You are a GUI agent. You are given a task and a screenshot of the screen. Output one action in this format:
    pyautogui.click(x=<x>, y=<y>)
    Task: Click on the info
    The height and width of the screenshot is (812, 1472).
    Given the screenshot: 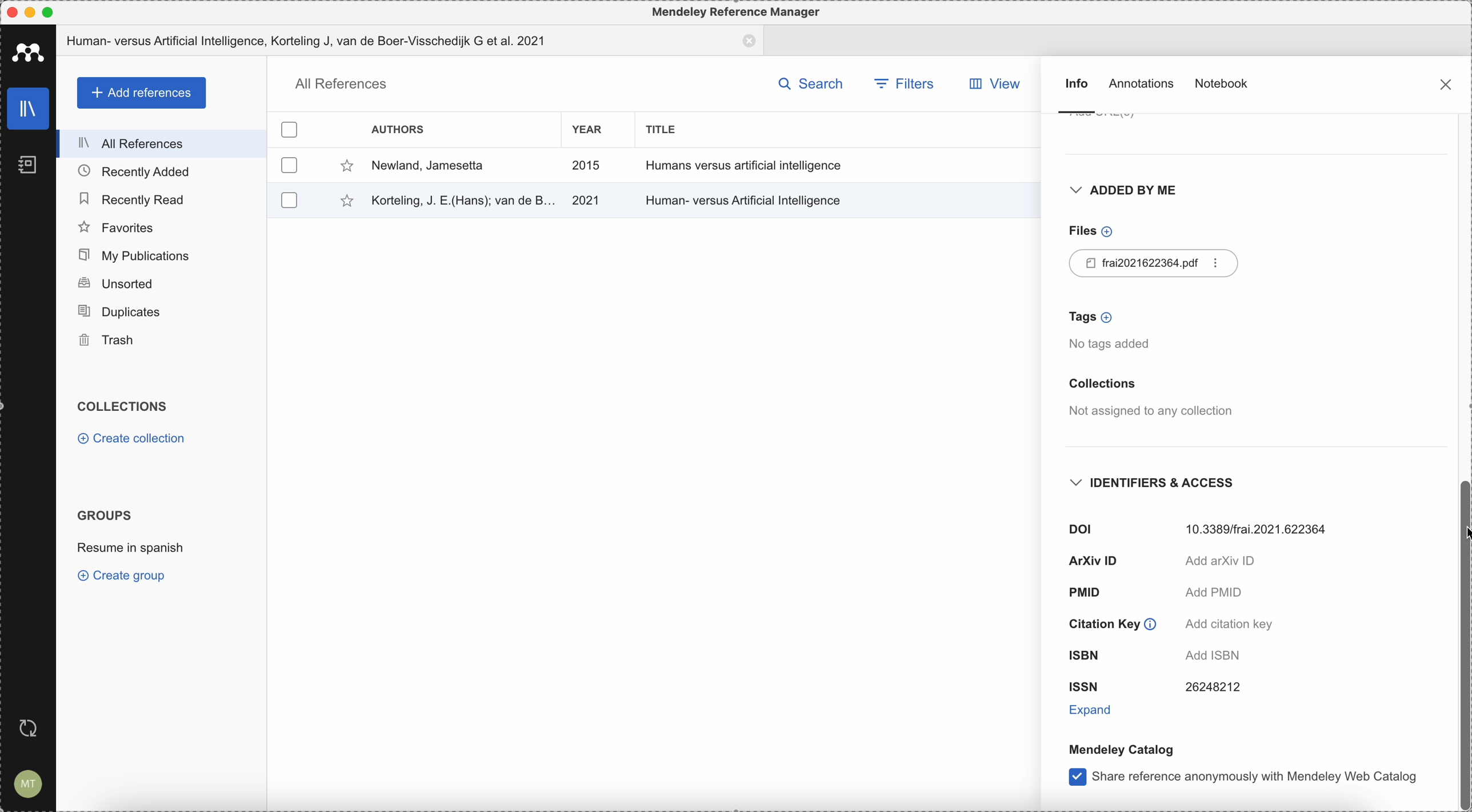 What is the action you would take?
    pyautogui.click(x=1075, y=95)
    